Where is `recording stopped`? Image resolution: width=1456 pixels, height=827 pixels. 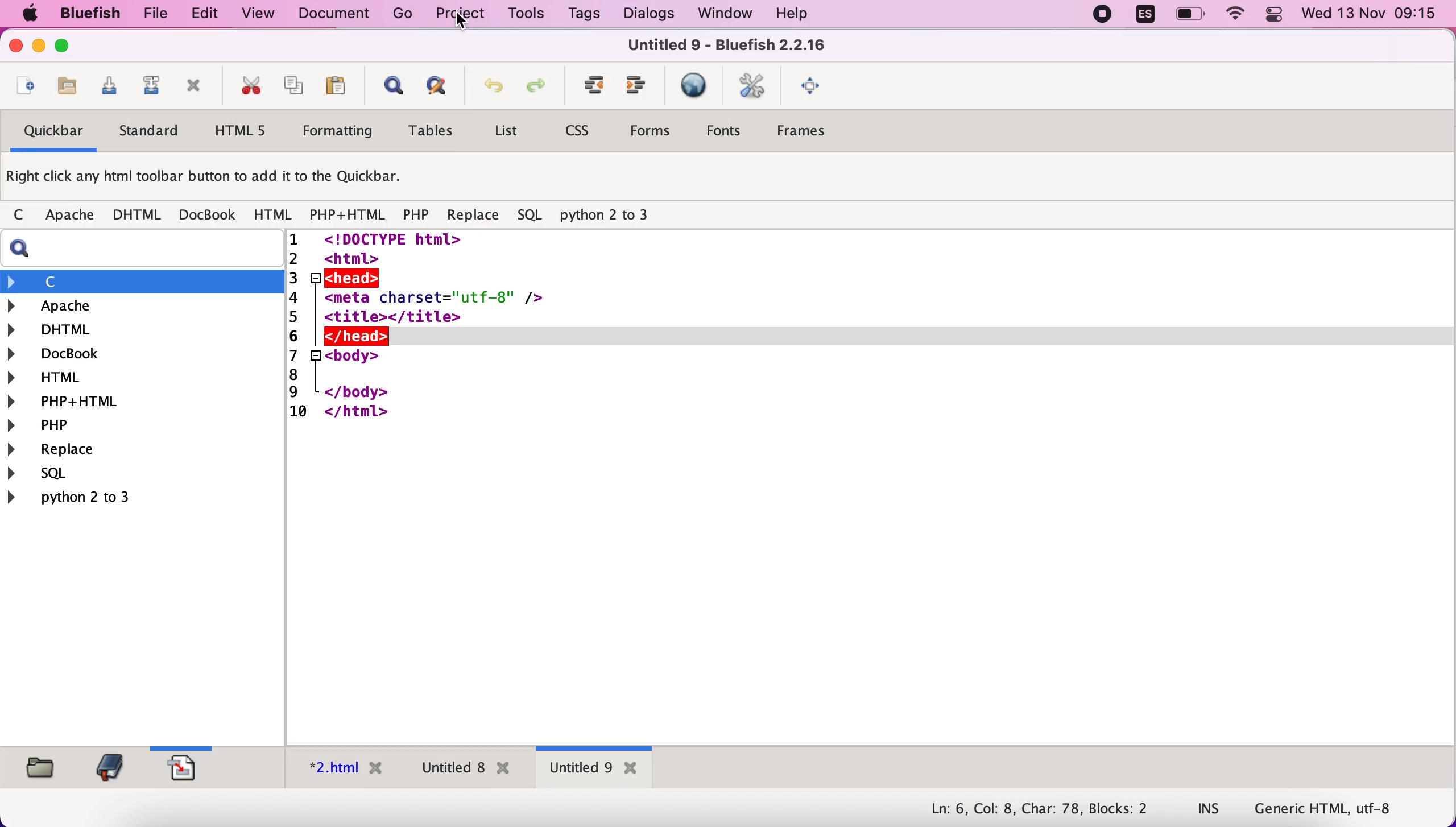 recording stopped is located at coordinates (1102, 15).